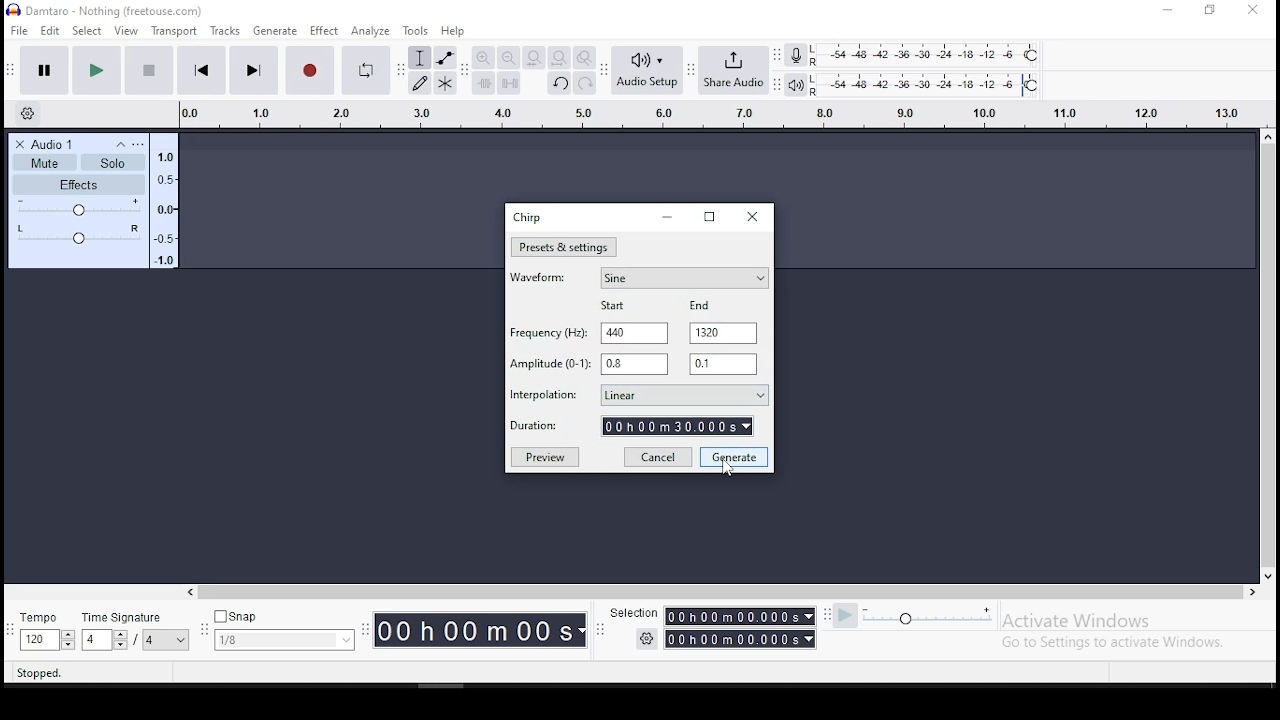  Describe the element at coordinates (642, 638) in the screenshot. I see `settings` at that location.